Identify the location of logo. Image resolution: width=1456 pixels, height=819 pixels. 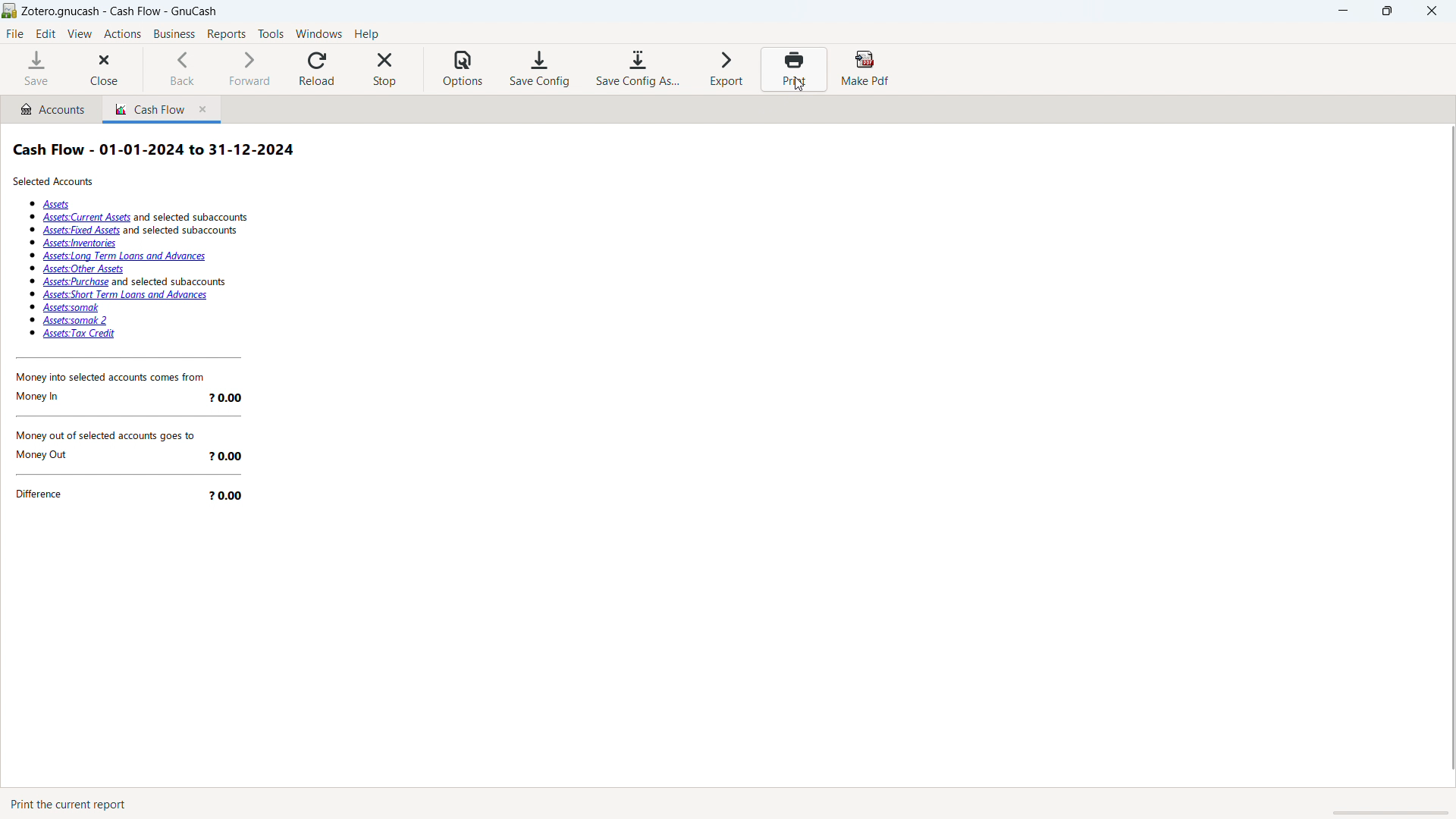
(10, 11).